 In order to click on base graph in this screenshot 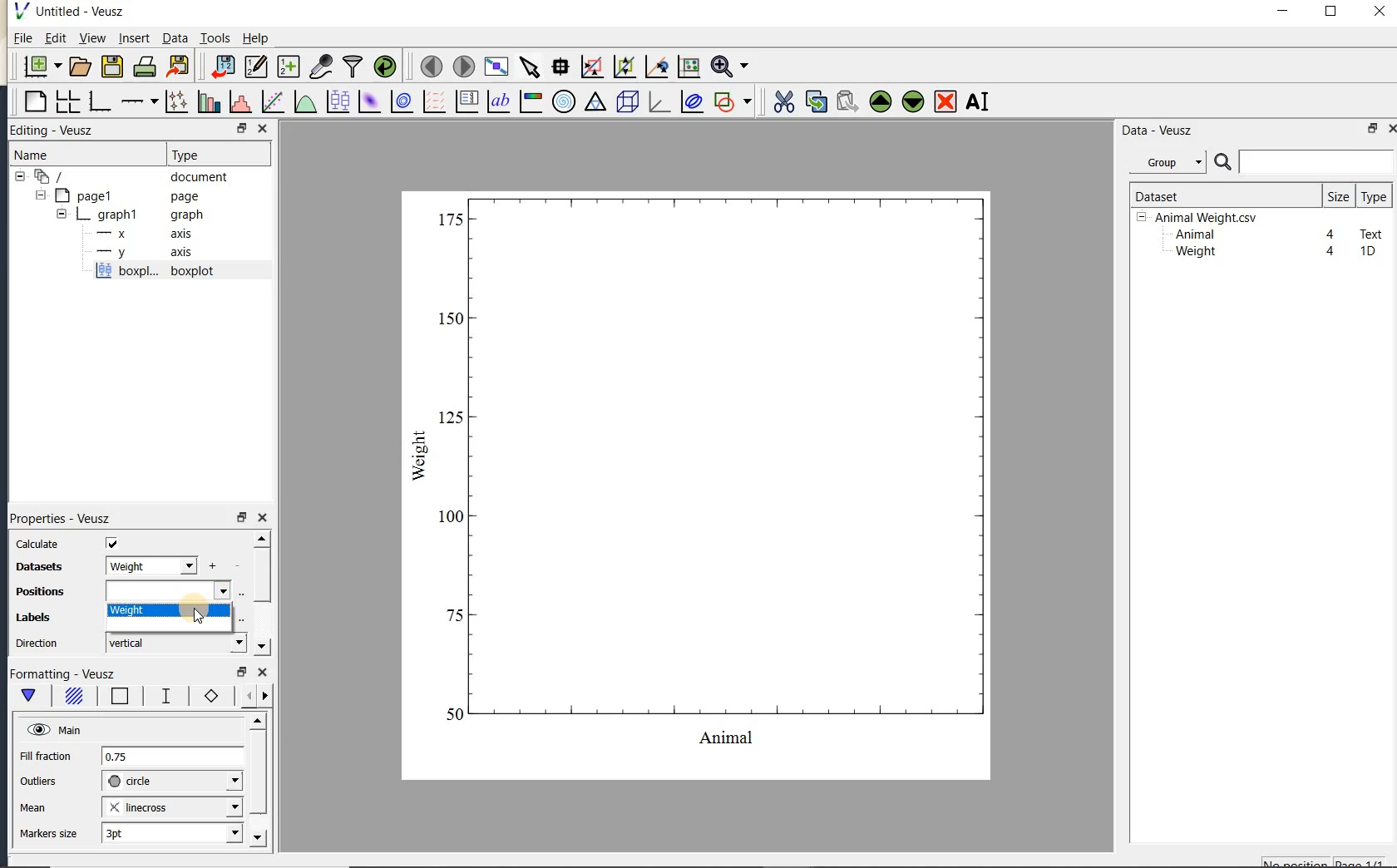, I will do `click(98, 101)`.